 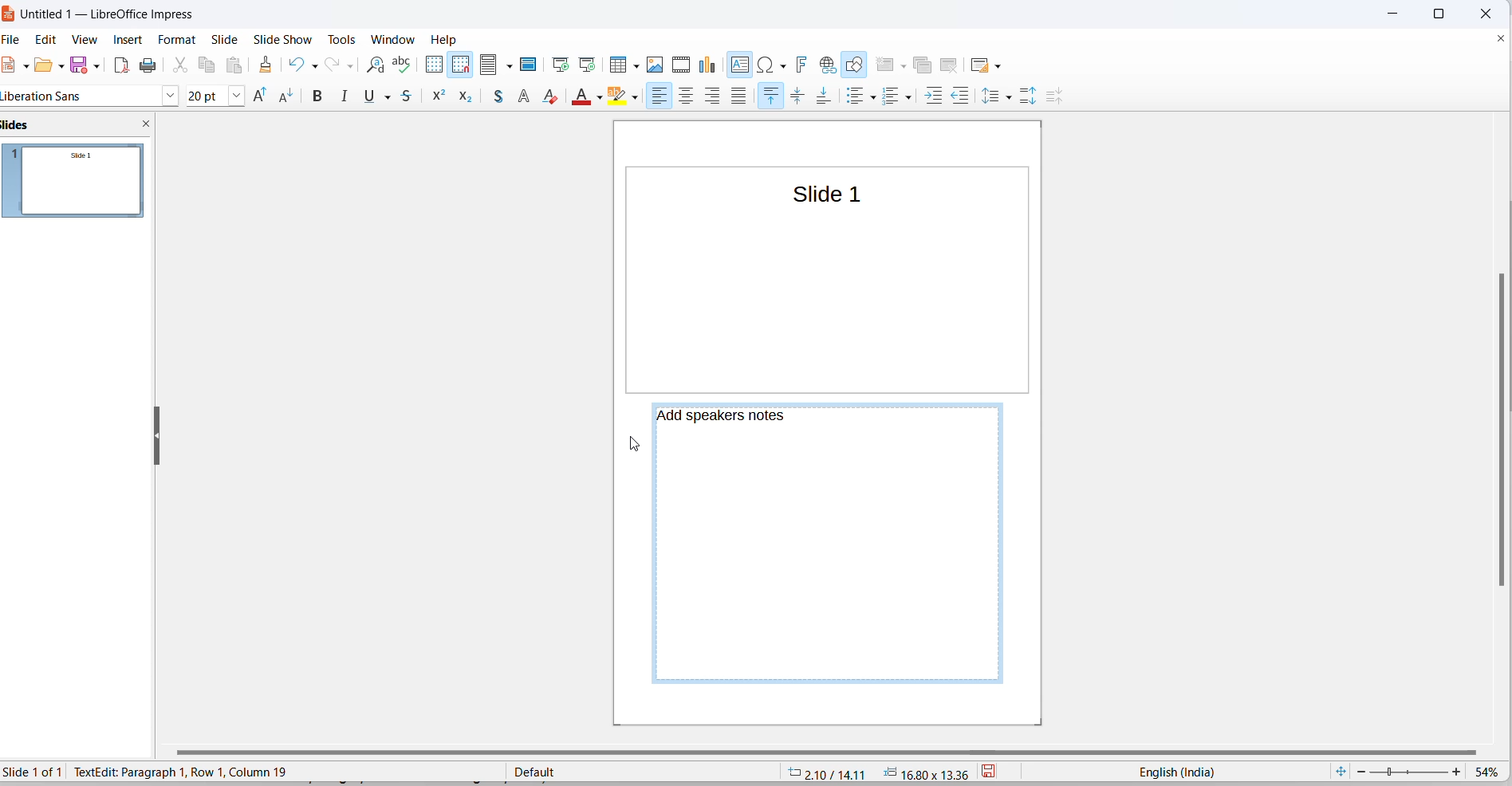 What do you see at coordinates (829, 64) in the screenshot?
I see `insert hyperlinks` at bounding box center [829, 64].